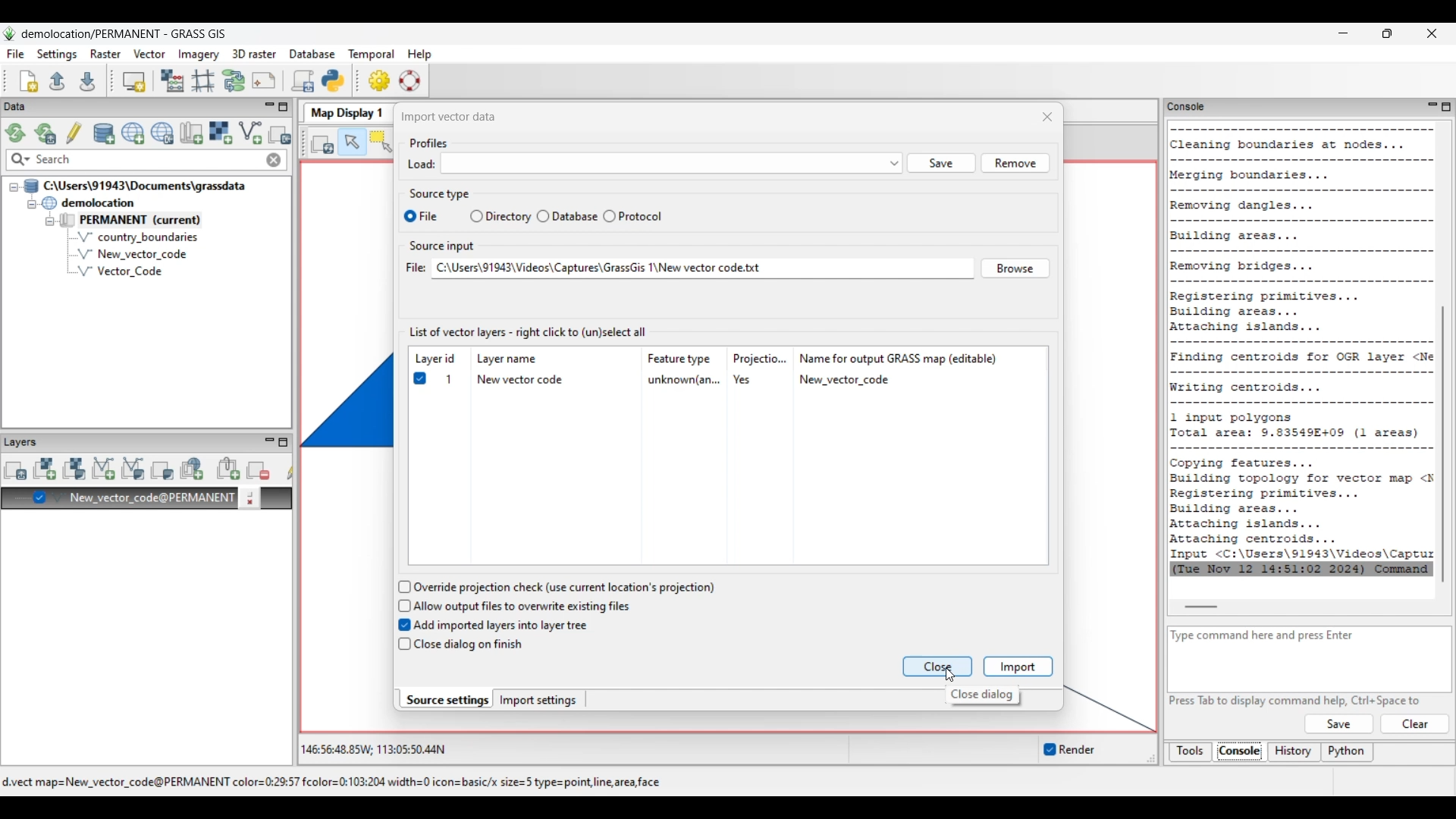  What do you see at coordinates (469, 645) in the screenshot?
I see `Close dialog on finish` at bounding box center [469, 645].